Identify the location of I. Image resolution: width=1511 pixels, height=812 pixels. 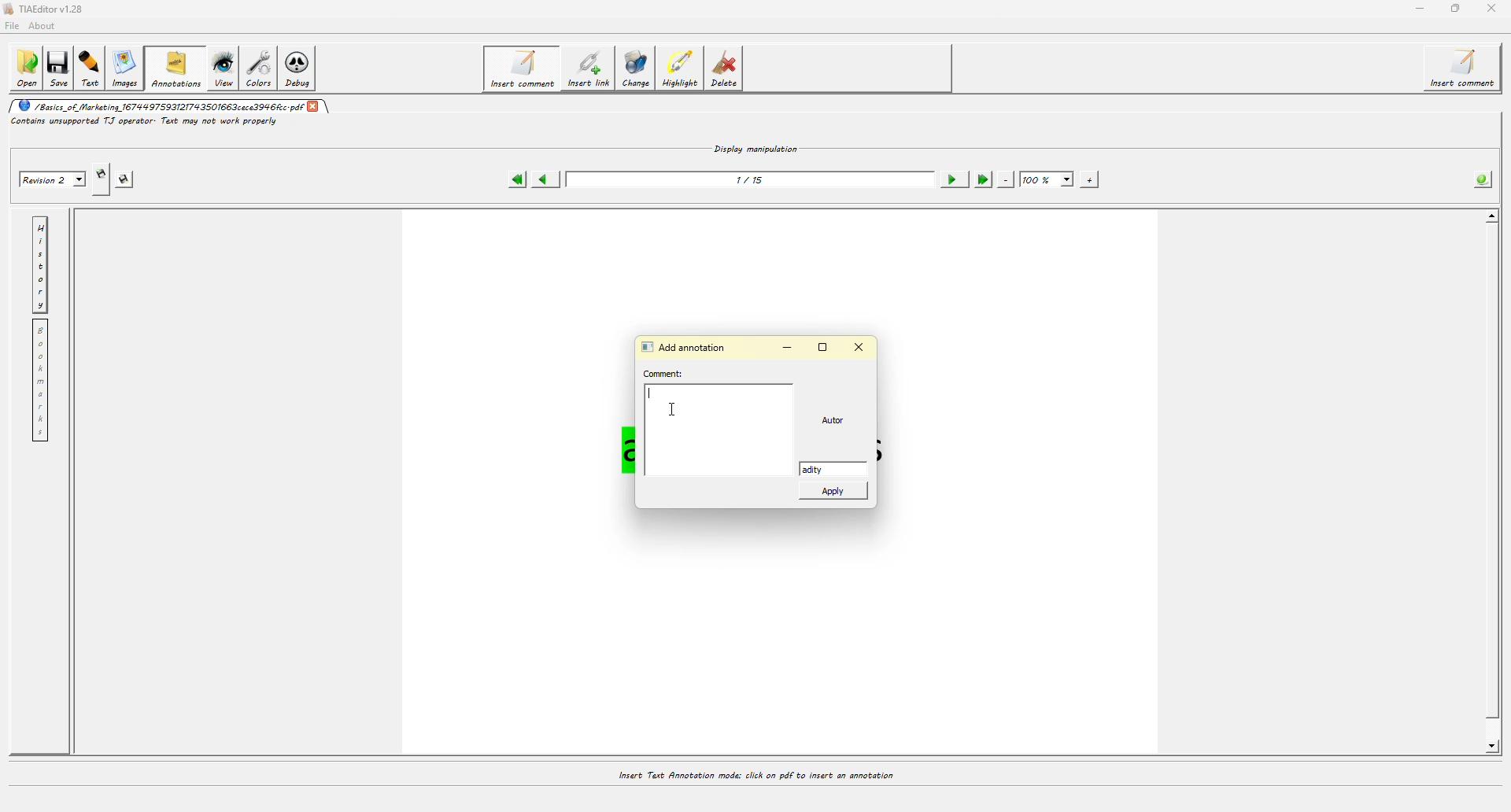
(653, 393).